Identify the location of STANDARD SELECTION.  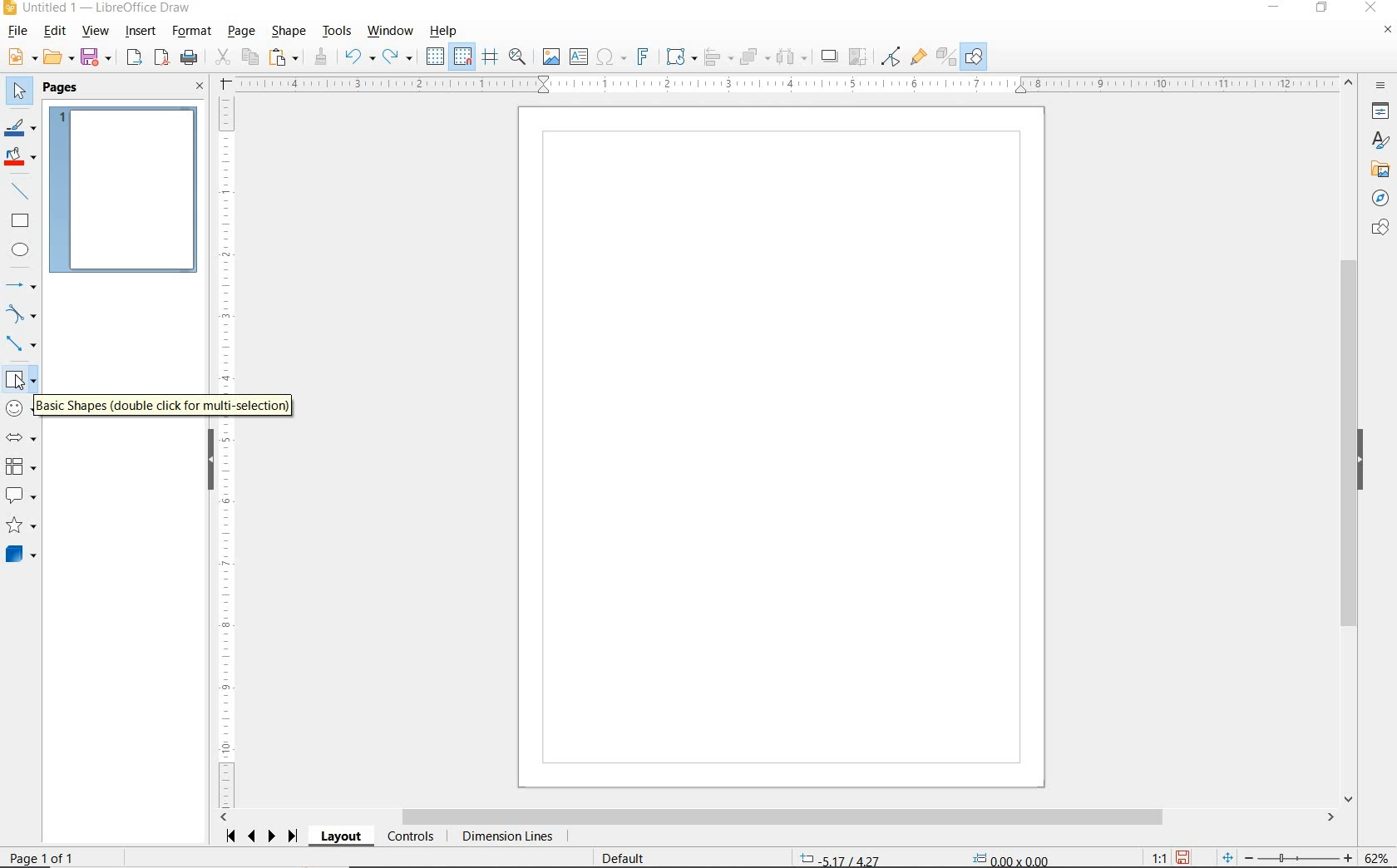
(926, 856).